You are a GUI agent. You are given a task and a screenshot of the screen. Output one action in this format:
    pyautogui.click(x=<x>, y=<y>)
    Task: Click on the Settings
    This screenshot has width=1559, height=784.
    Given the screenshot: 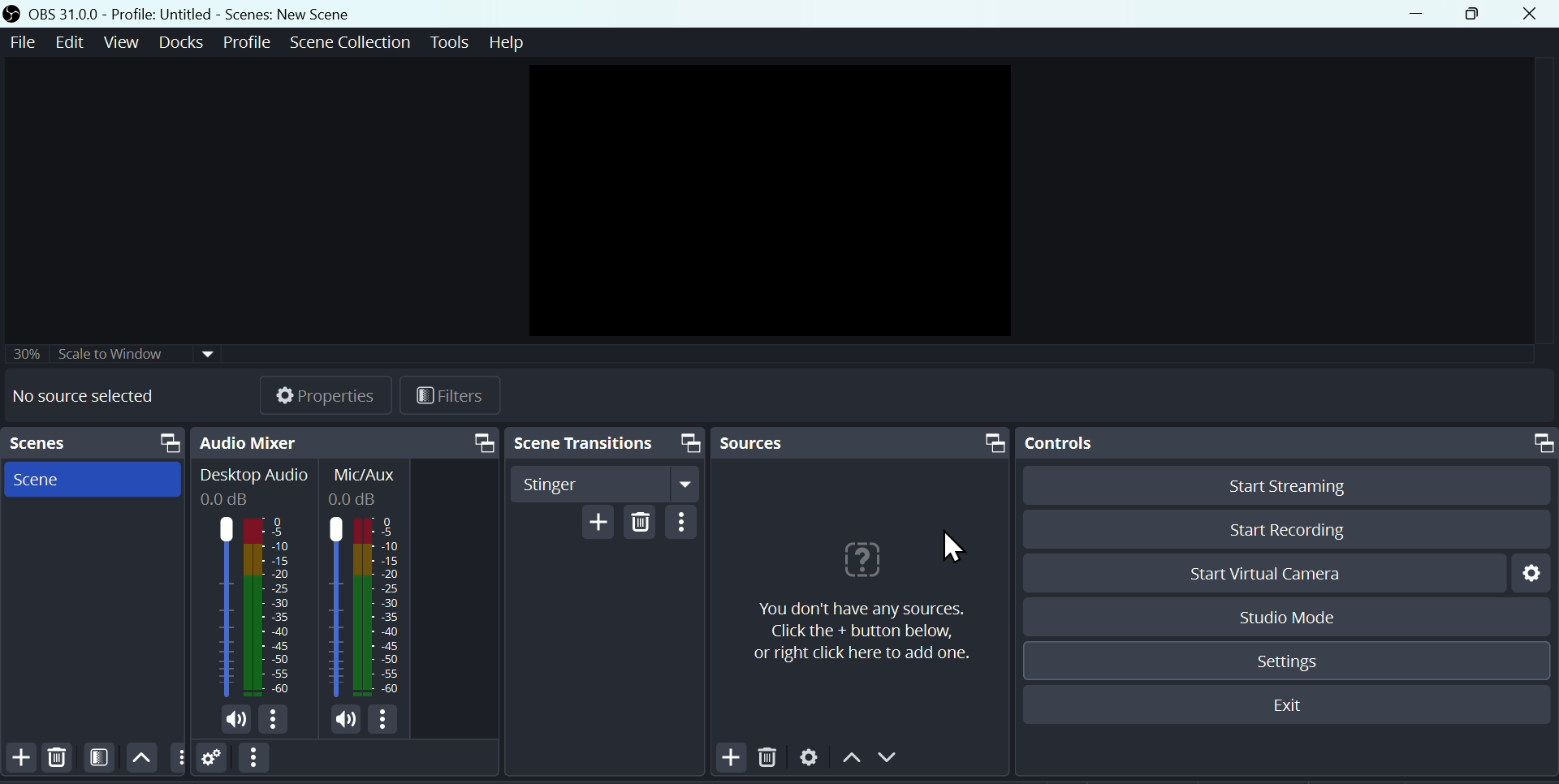 What is the action you would take?
    pyautogui.click(x=1527, y=574)
    